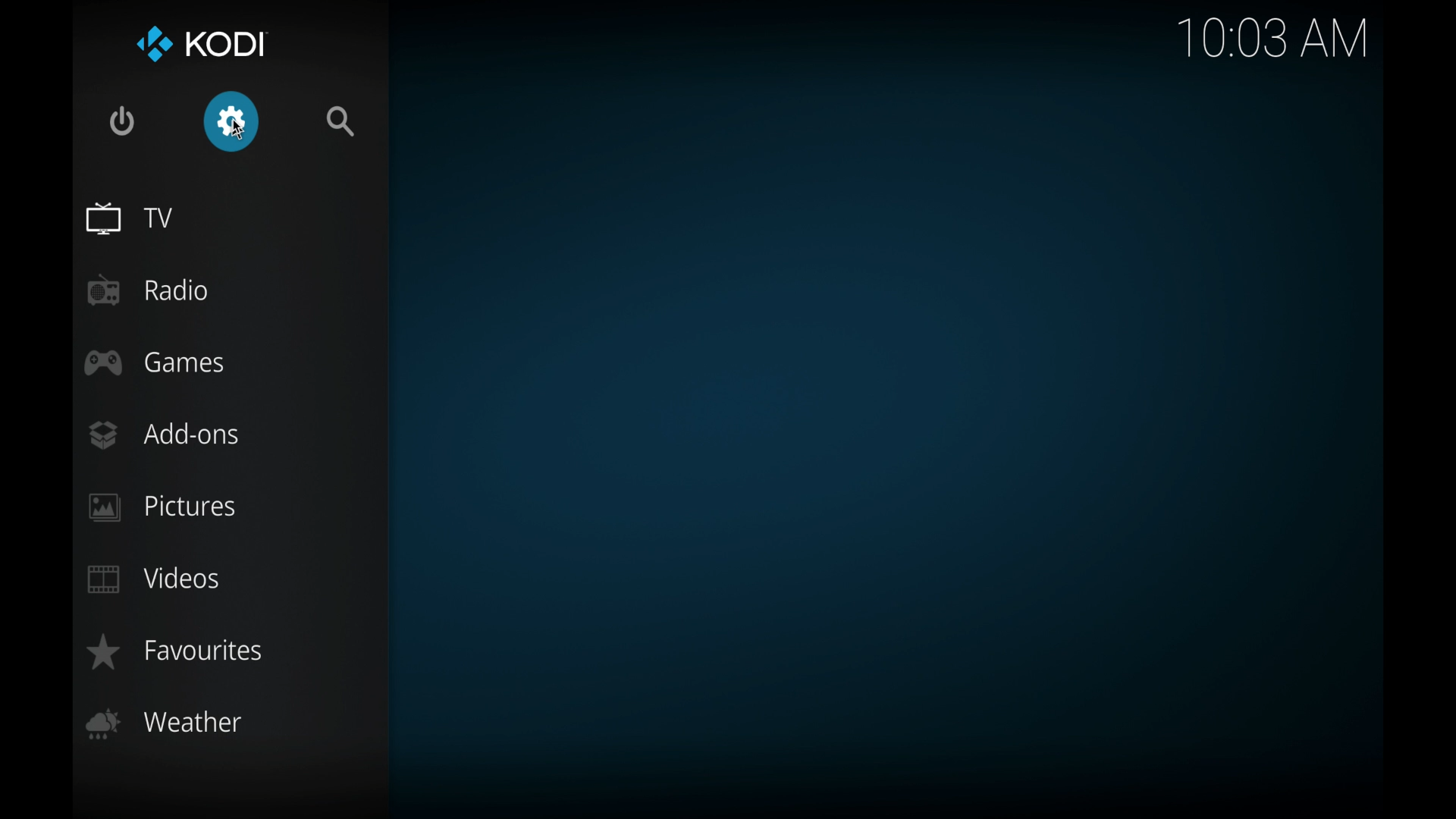 The width and height of the screenshot is (1456, 819). Describe the element at coordinates (232, 121) in the screenshot. I see `settings` at that location.